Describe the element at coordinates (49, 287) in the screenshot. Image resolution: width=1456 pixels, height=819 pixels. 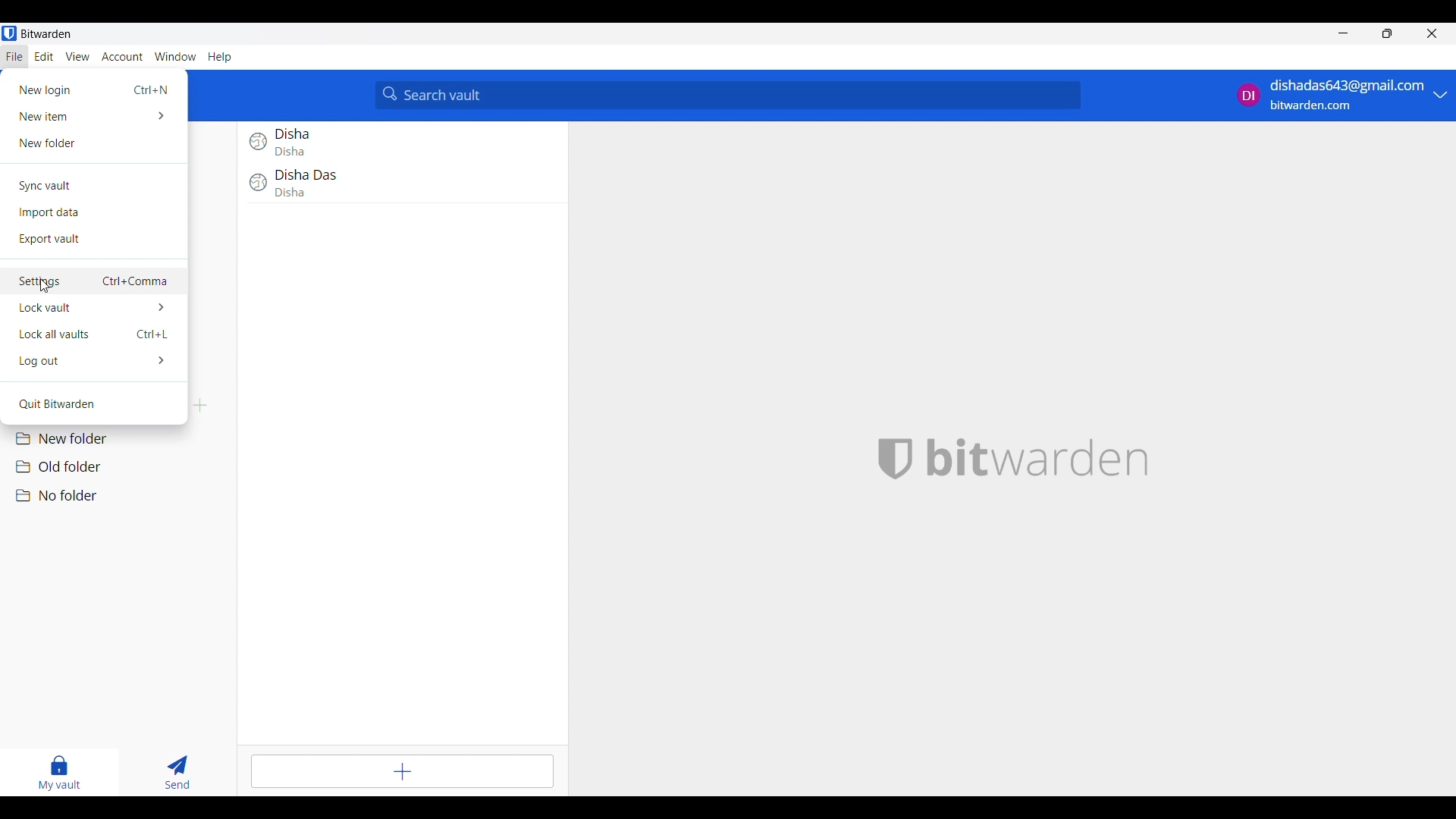
I see `cursor` at that location.